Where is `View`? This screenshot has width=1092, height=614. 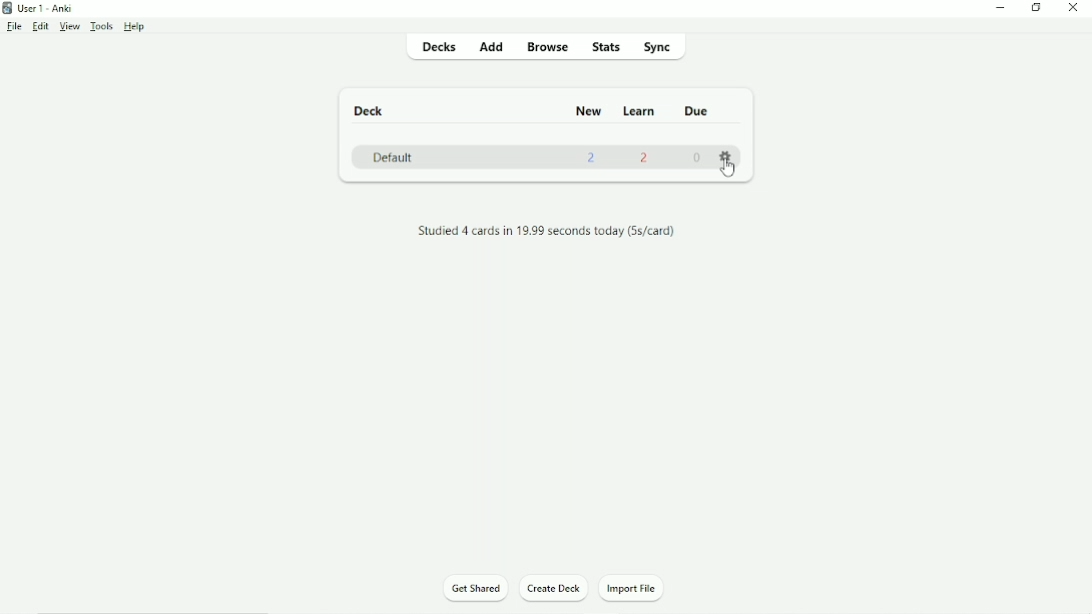 View is located at coordinates (71, 27).